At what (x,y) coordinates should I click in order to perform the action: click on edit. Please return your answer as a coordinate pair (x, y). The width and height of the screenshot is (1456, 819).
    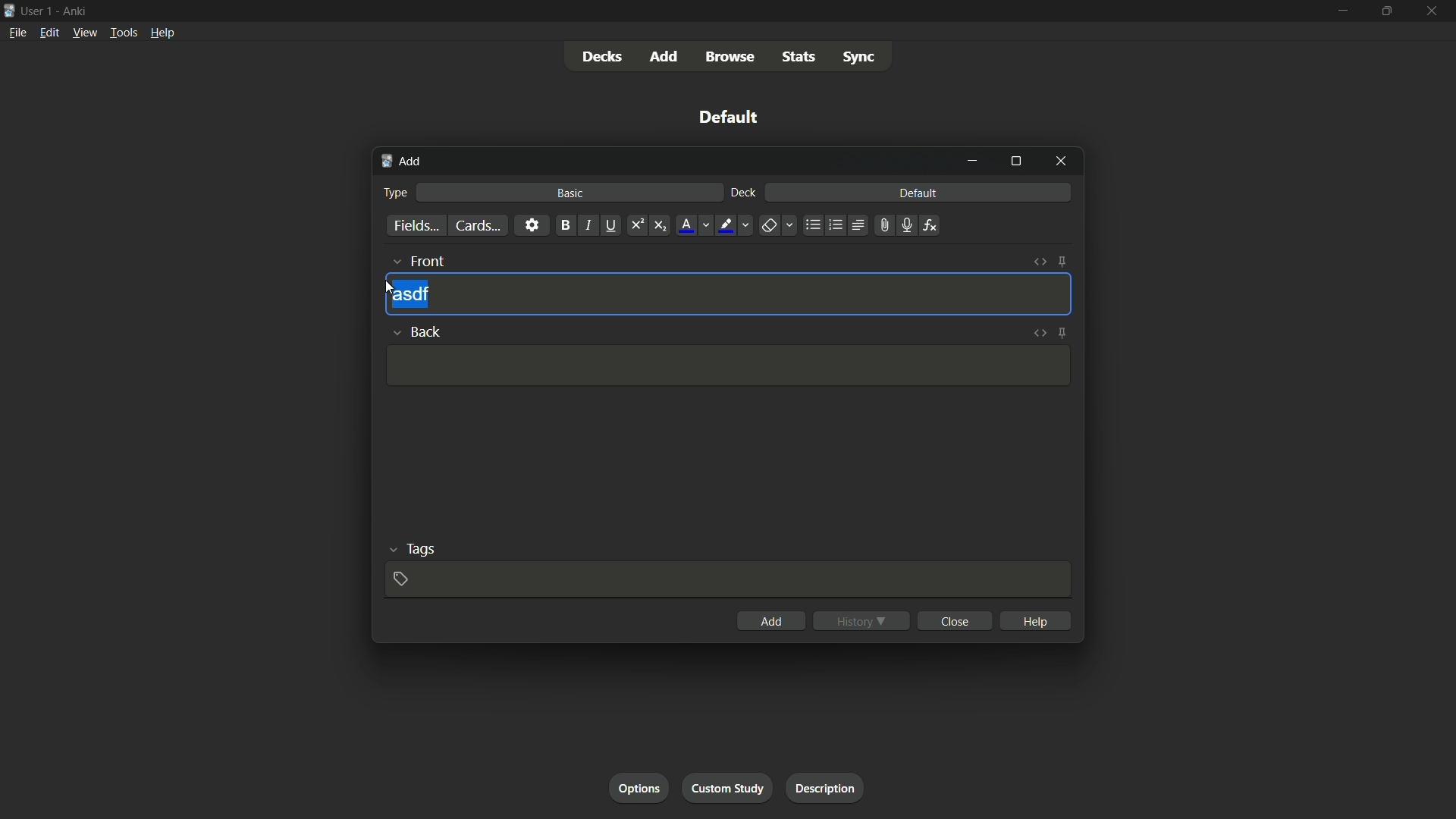
    Looking at the image, I should click on (49, 33).